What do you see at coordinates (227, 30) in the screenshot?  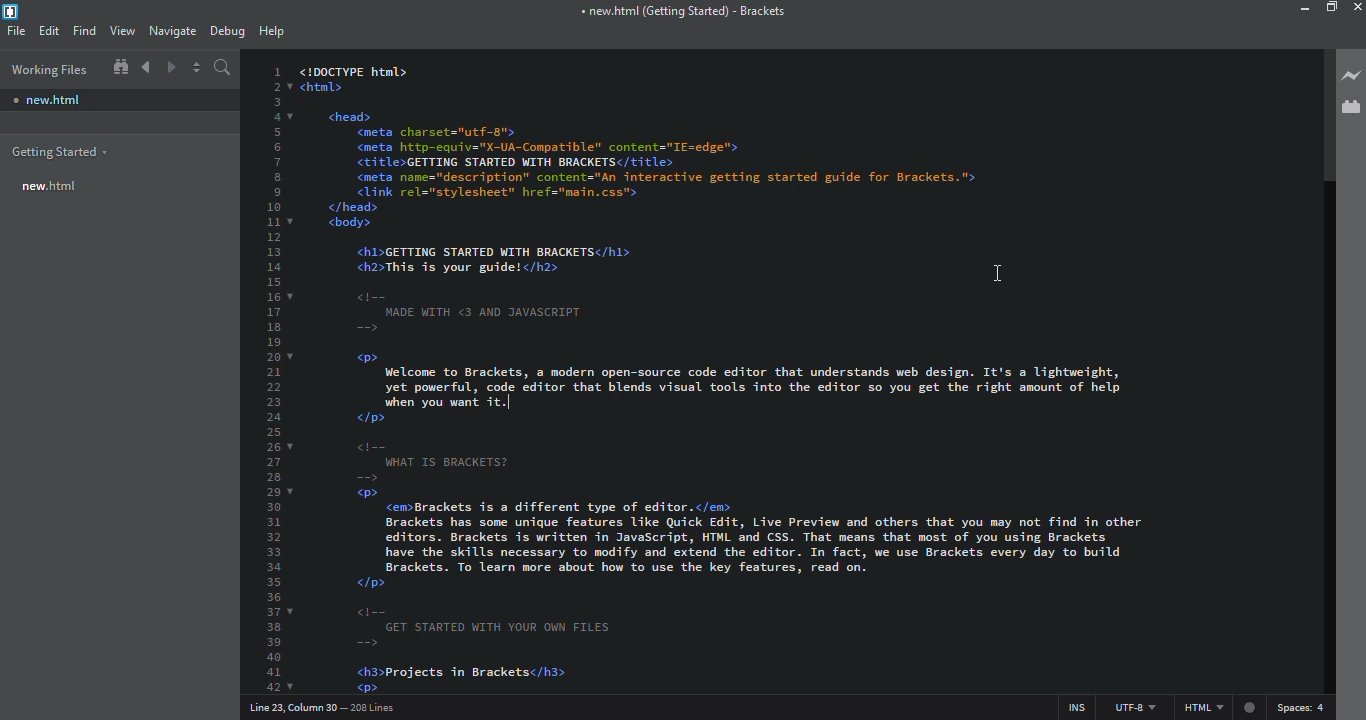 I see `debug` at bounding box center [227, 30].